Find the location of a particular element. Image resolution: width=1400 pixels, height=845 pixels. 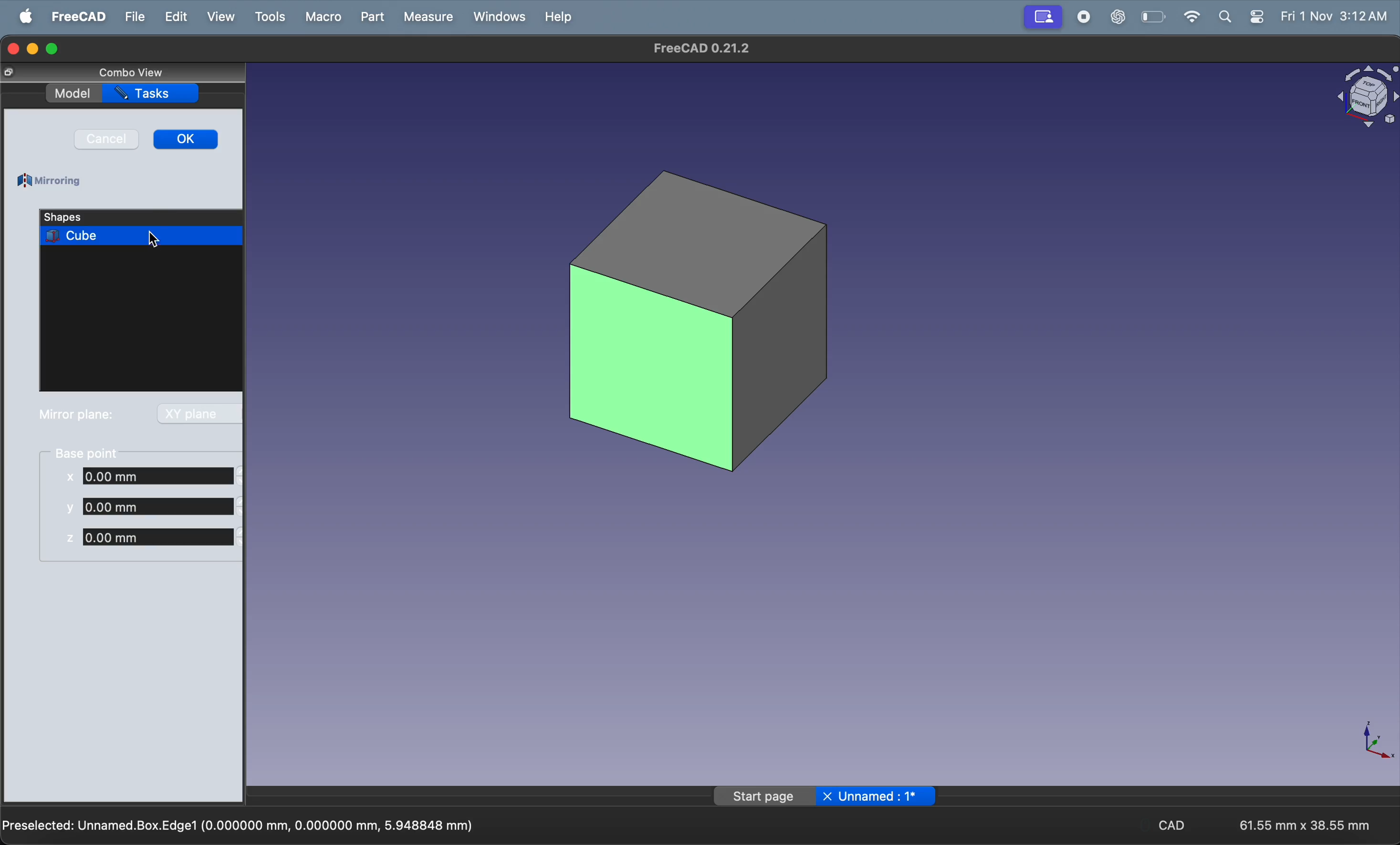

view is located at coordinates (220, 16).